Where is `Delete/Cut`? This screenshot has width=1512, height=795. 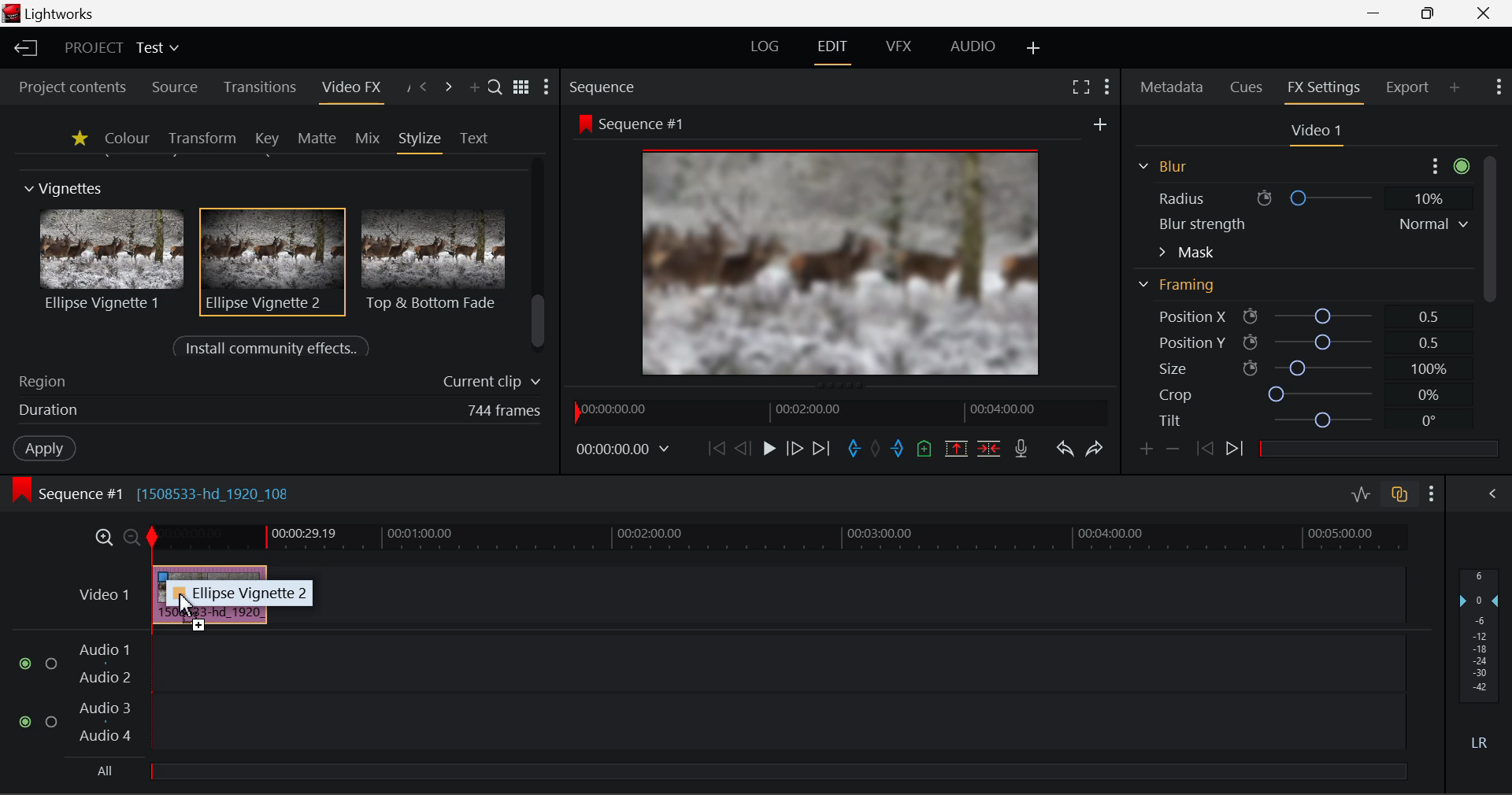
Delete/Cut is located at coordinates (991, 444).